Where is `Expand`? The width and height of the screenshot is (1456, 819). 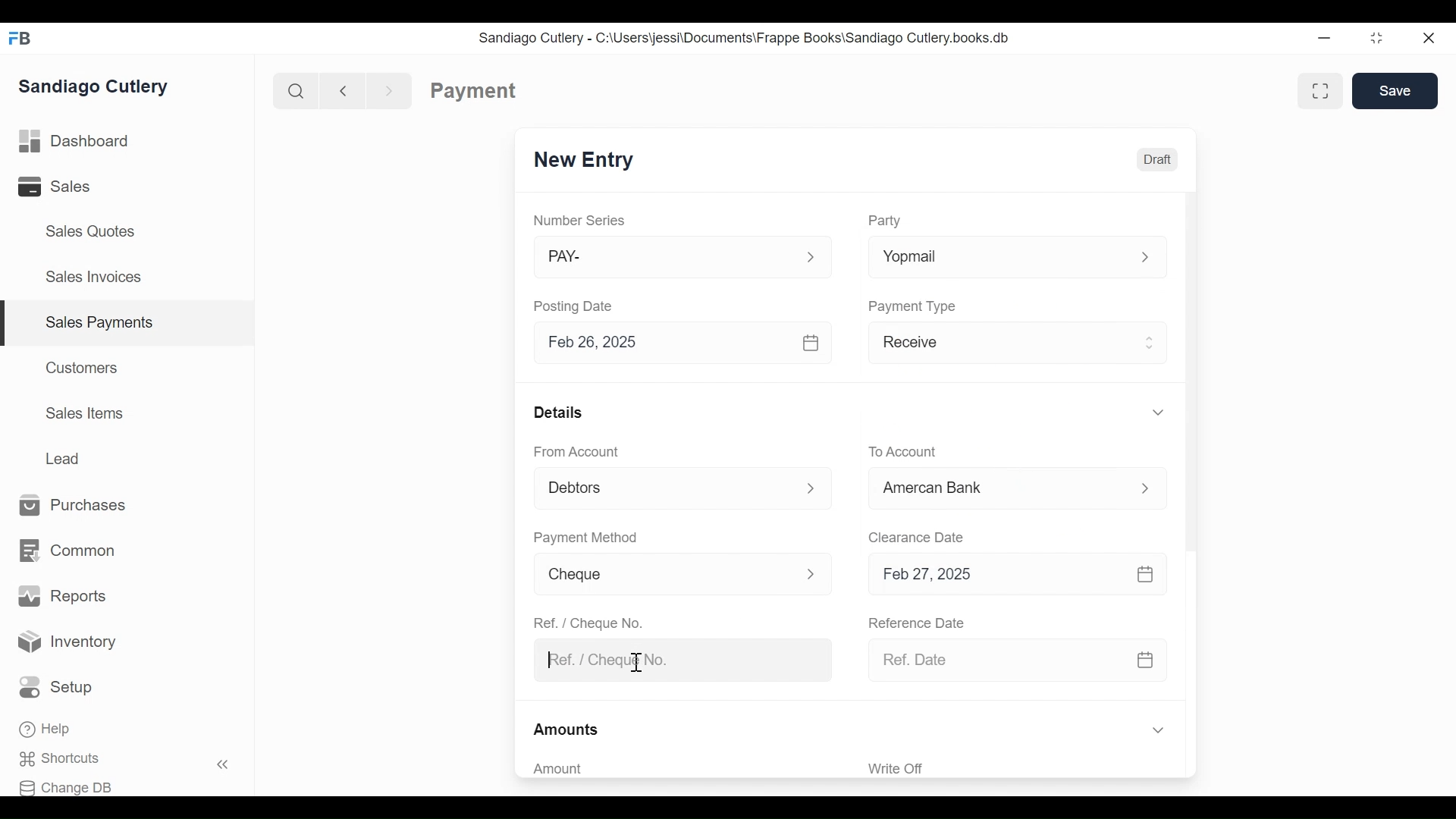 Expand is located at coordinates (814, 488).